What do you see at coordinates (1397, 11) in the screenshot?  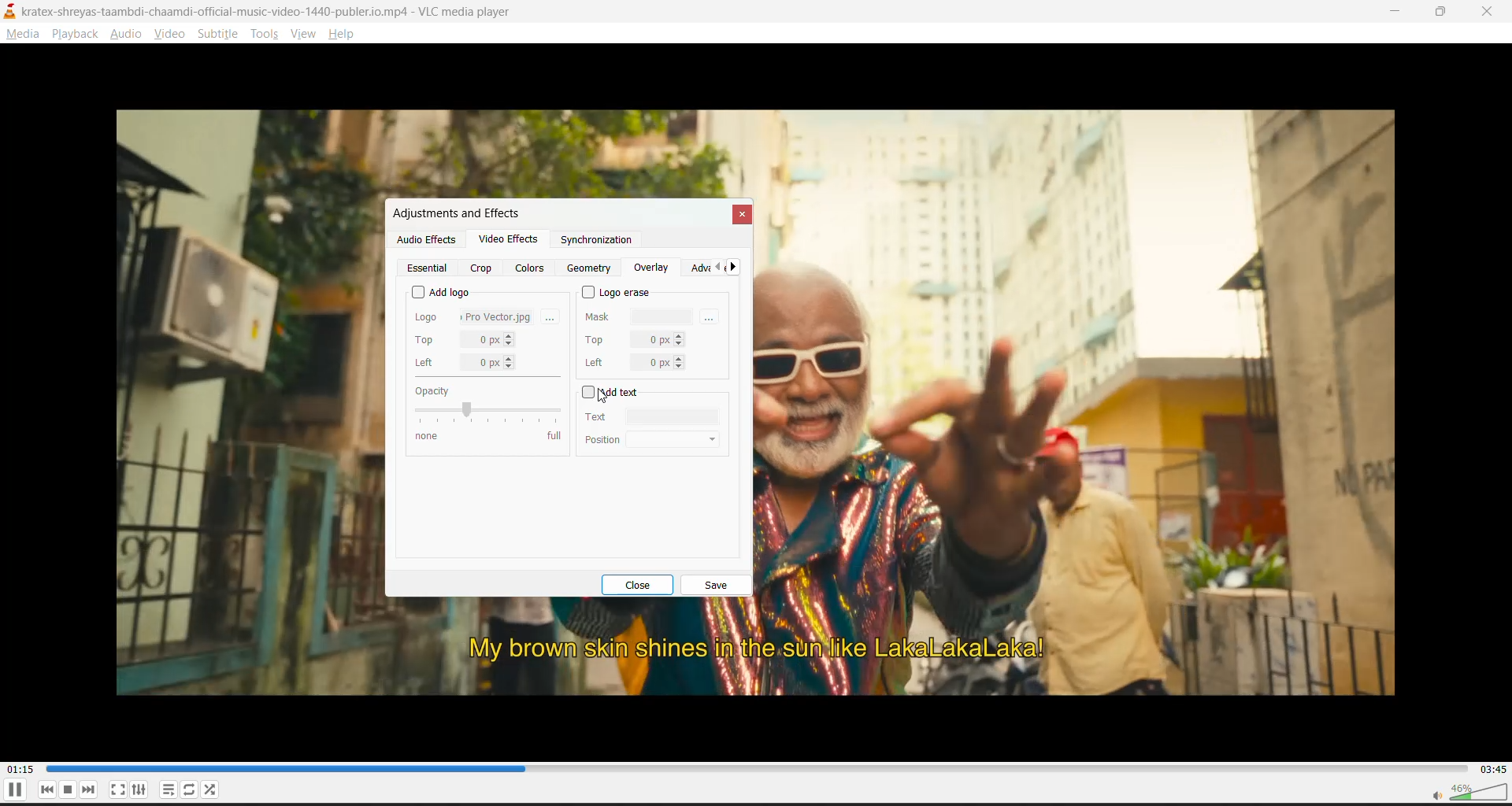 I see `minimize` at bounding box center [1397, 11].